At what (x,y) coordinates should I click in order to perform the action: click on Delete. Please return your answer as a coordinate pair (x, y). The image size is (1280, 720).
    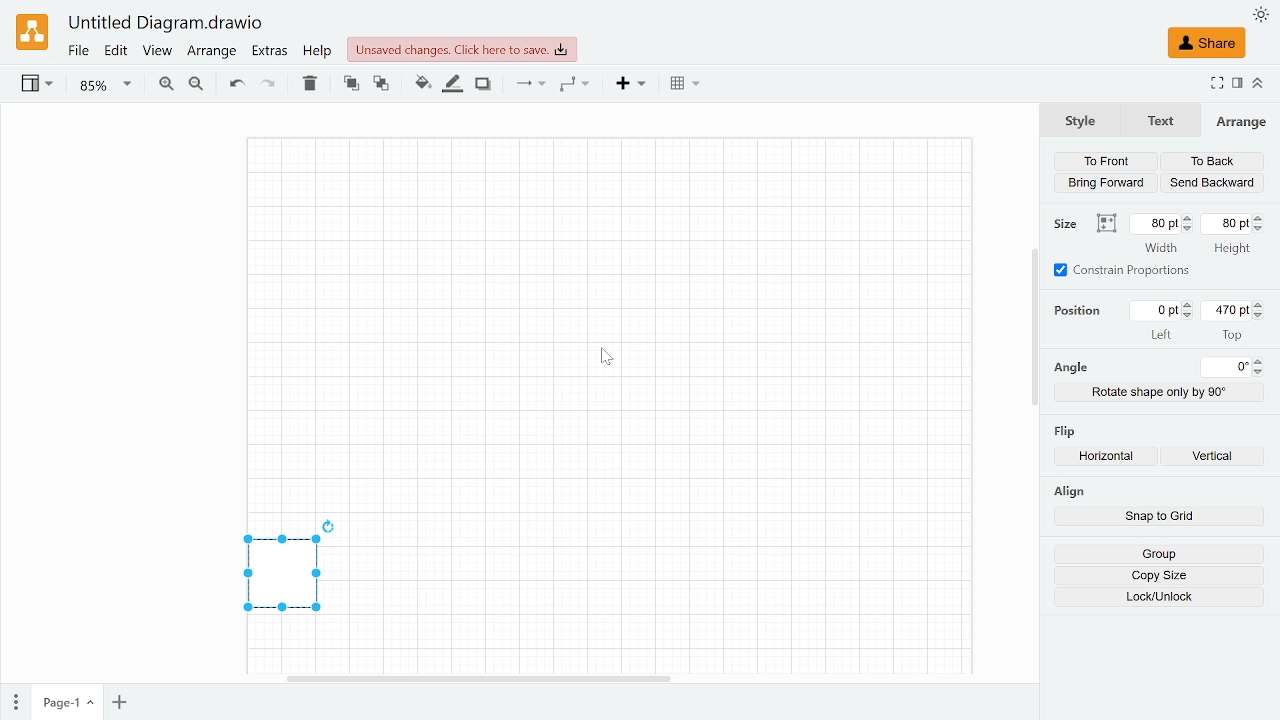
    Looking at the image, I should click on (309, 83).